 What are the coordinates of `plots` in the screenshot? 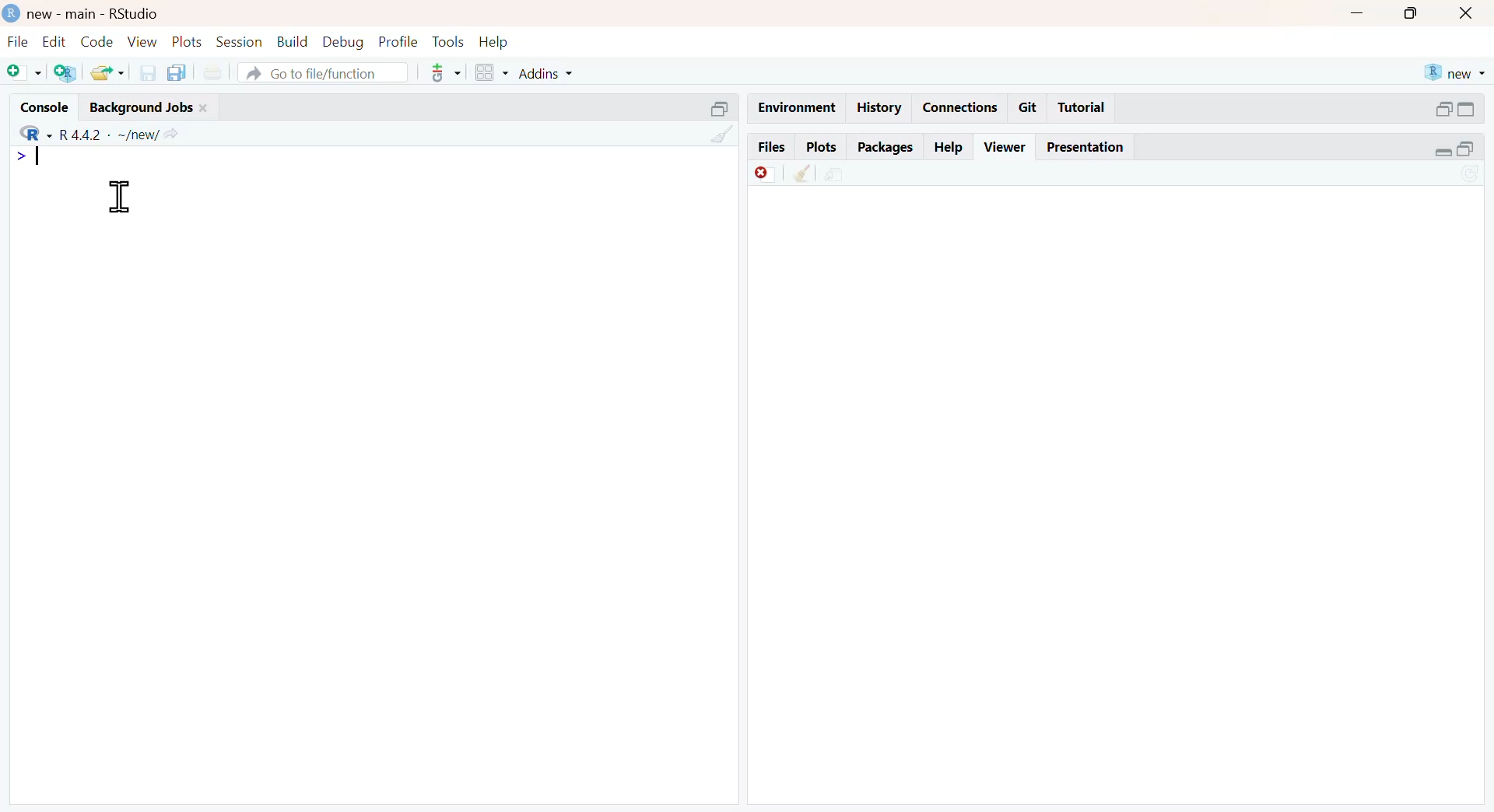 It's located at (823, 146).